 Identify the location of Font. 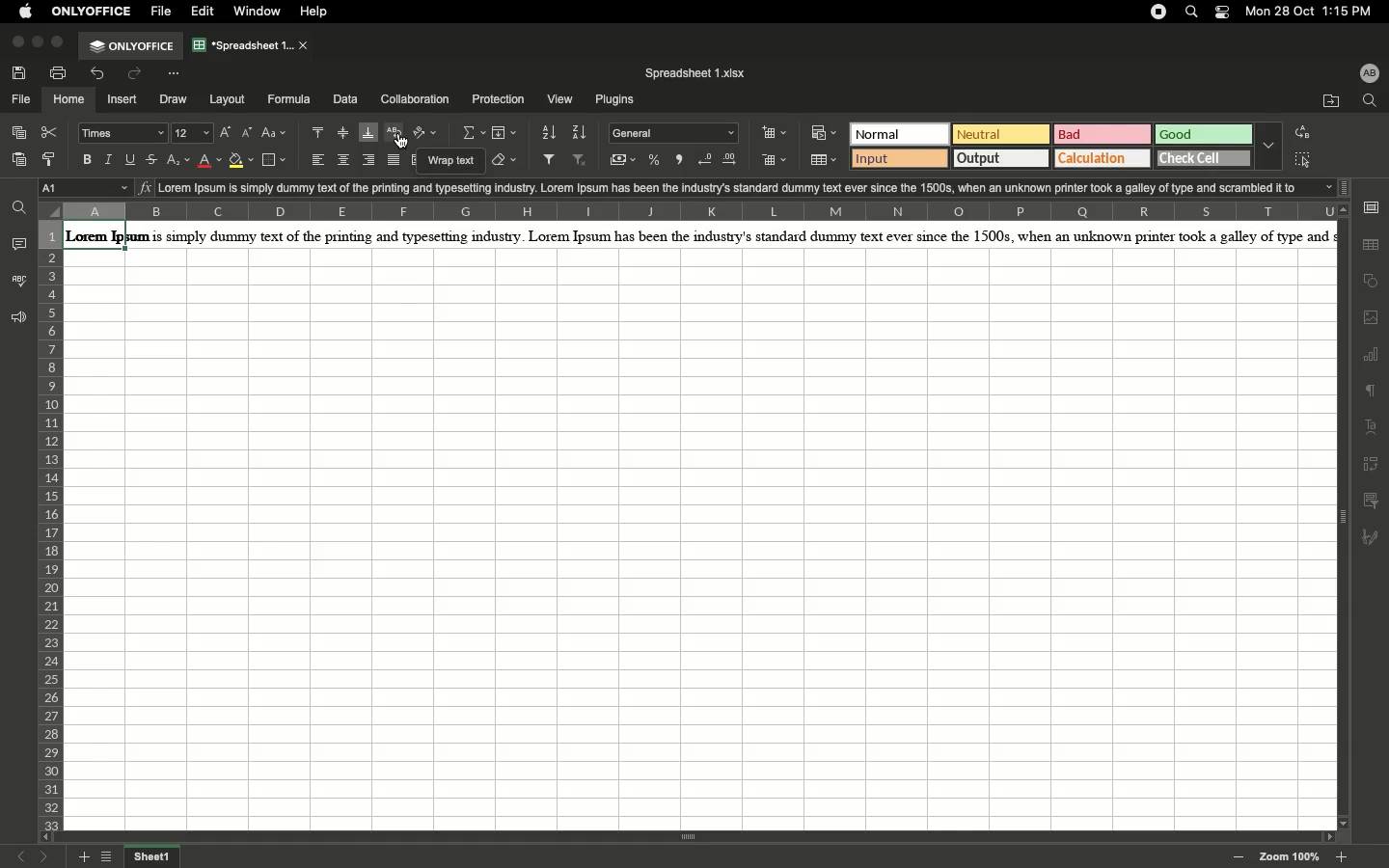
(124, 134).